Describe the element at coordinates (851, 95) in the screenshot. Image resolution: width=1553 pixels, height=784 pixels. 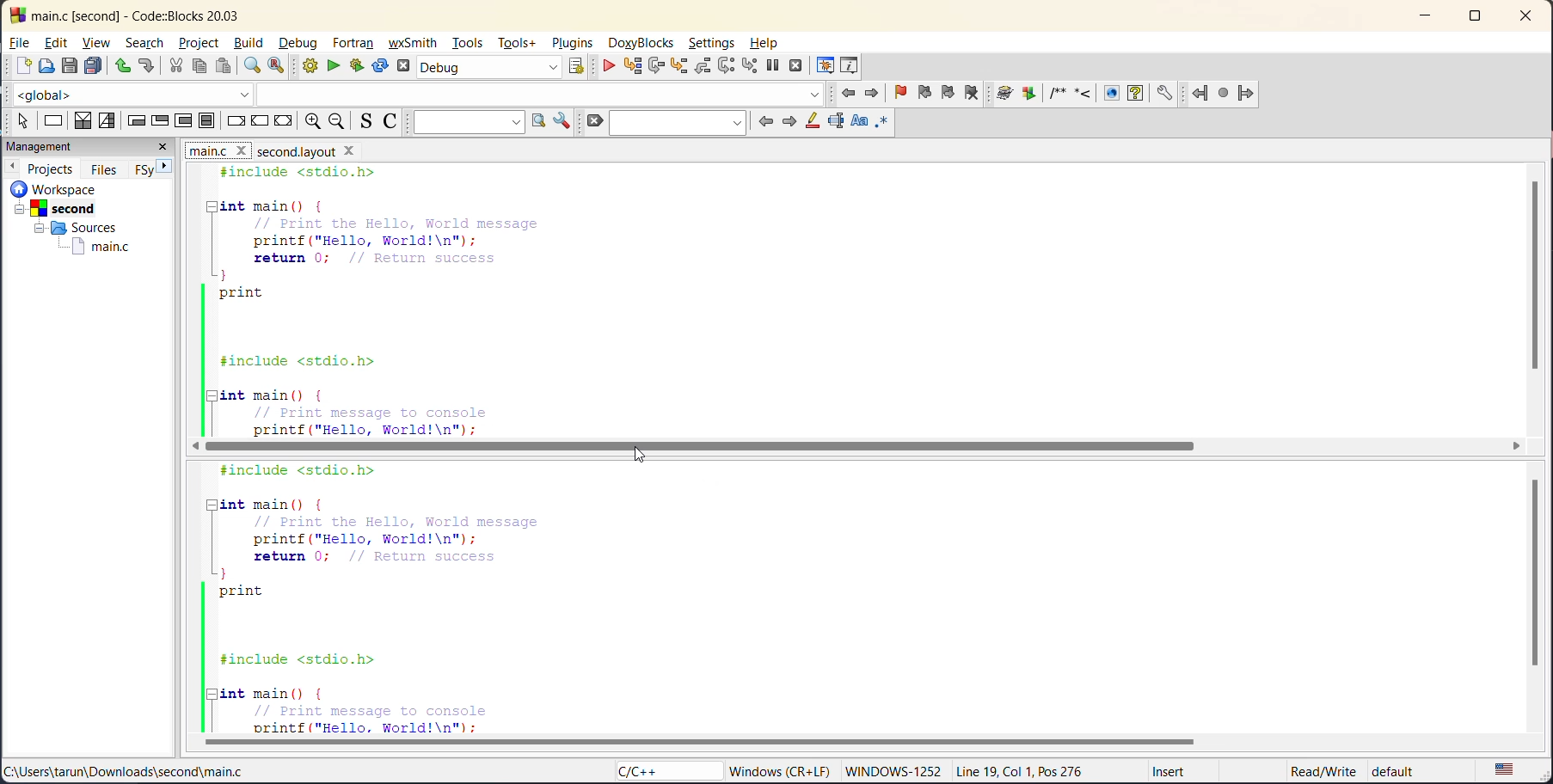
I see `jump back` at that location.